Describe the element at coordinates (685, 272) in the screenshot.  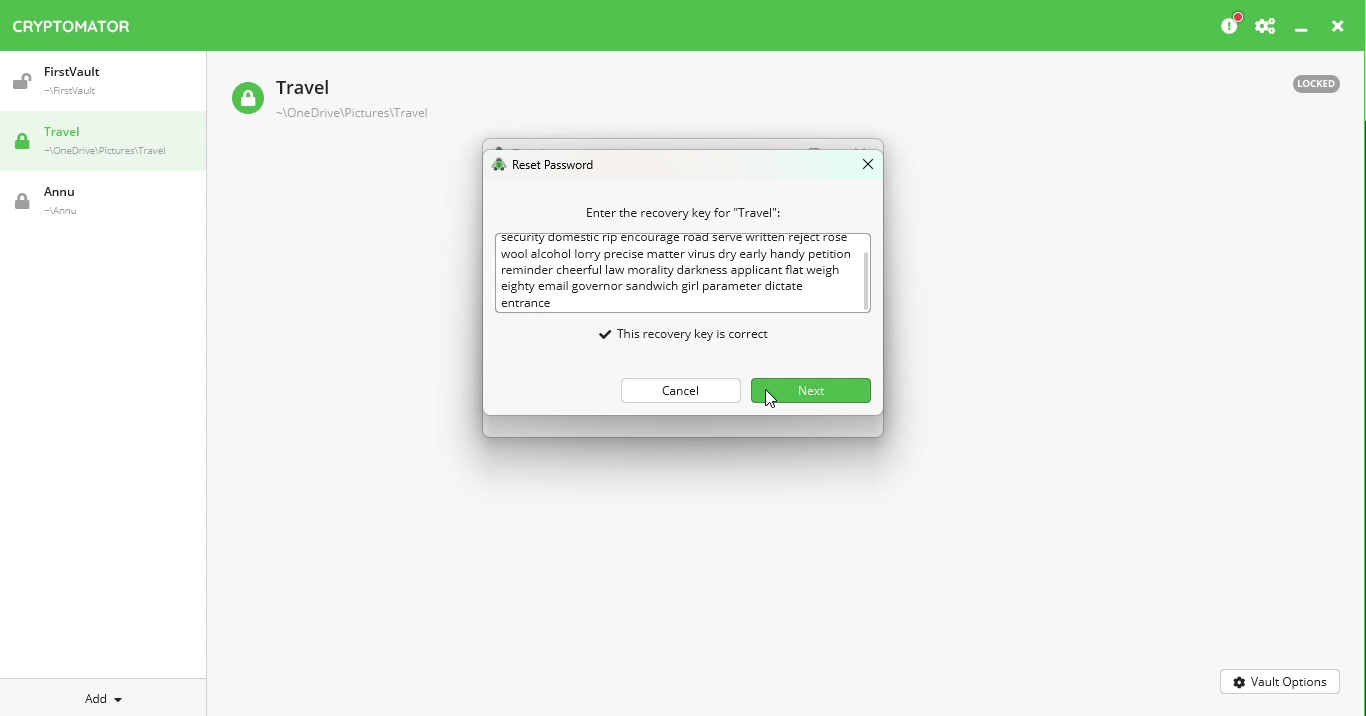
I see `Recovery key box` at that location.